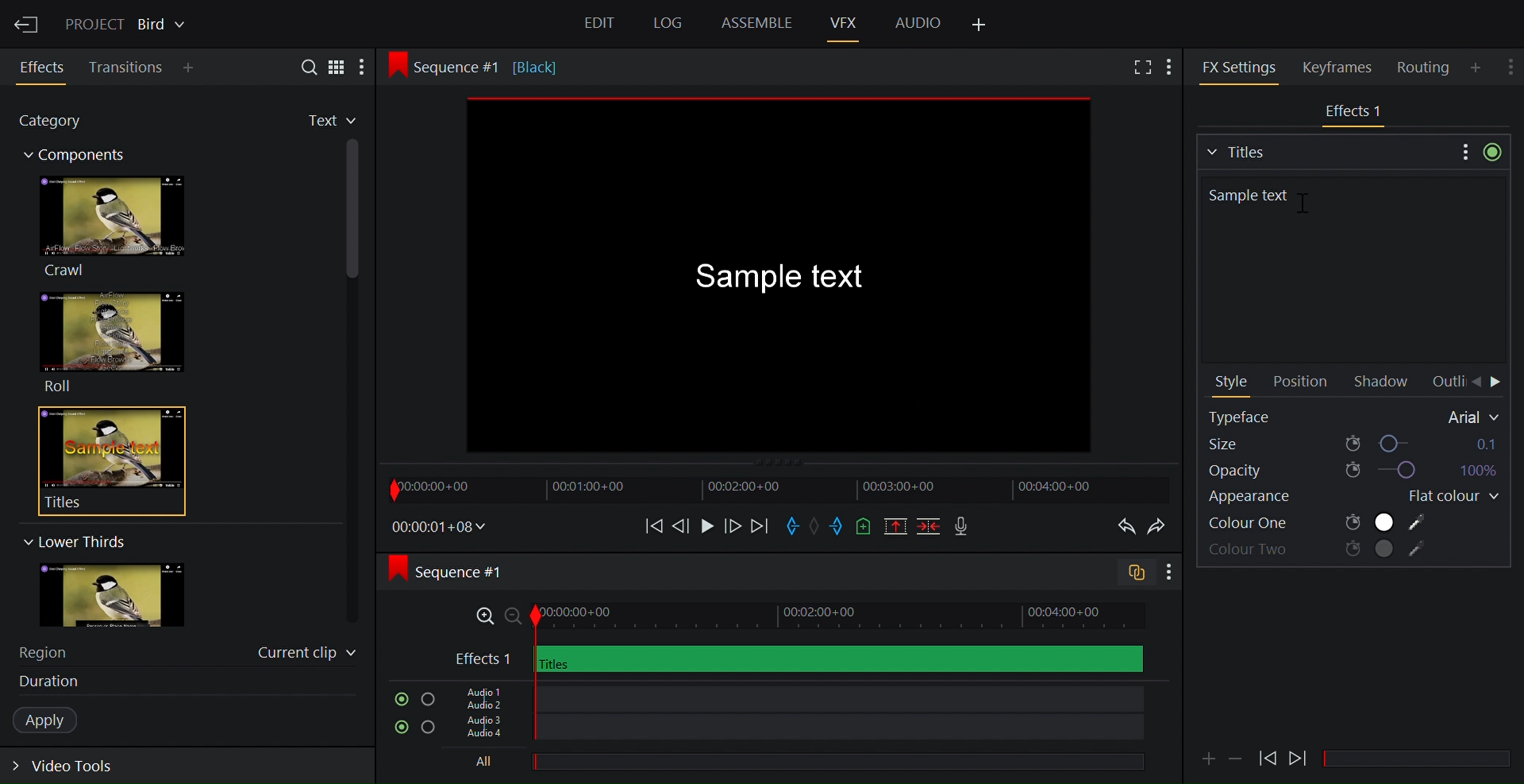 Image resolution: width=1524 pixels, height=784 pixels. What do you see at coordinates (354, 290) in the screenshot?
I see `Vertical scroll bar` at bounding box center [354, 290].